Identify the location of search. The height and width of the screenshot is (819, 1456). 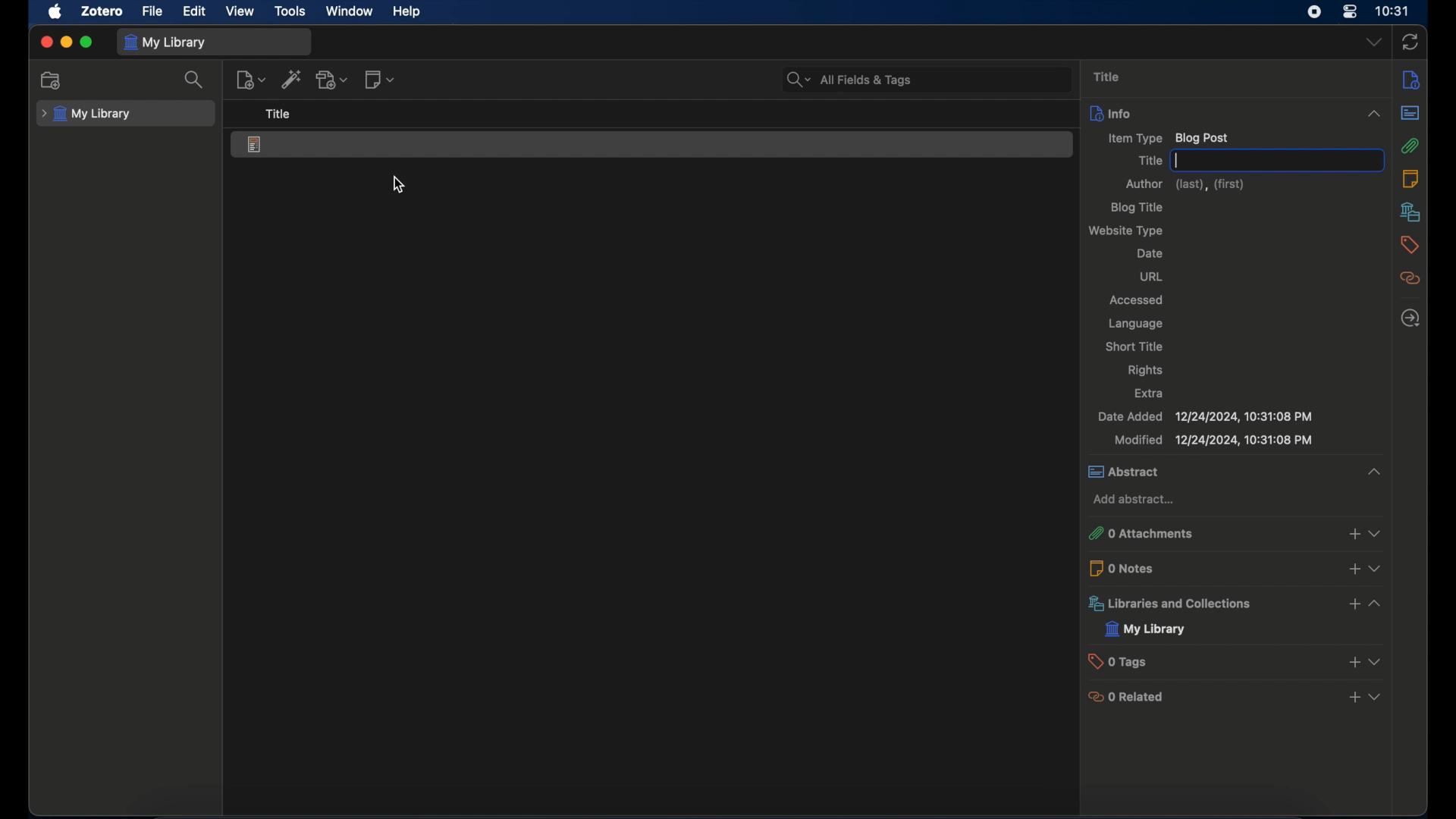
(194, 80).